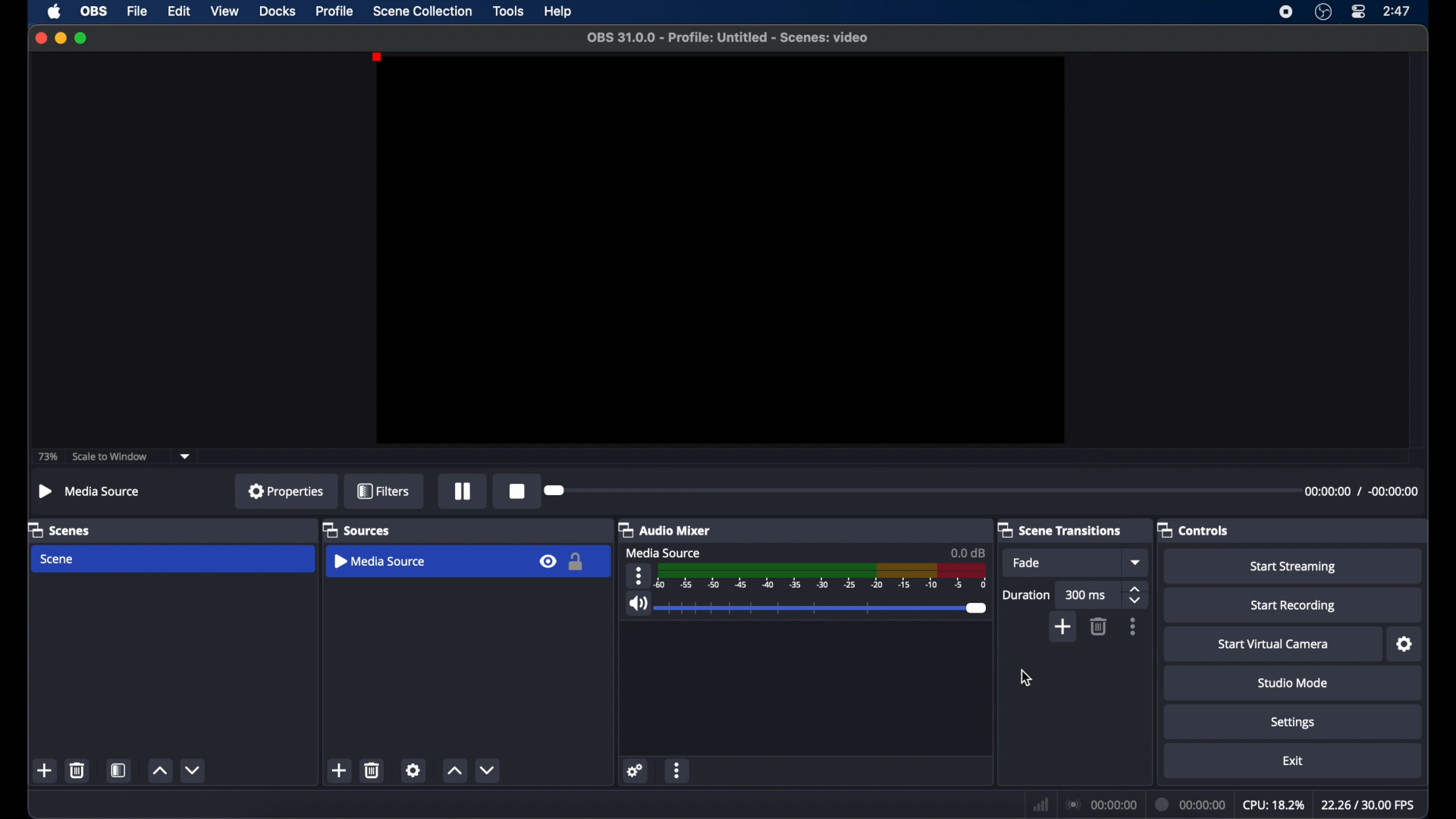 The height and width of the screenshot is (819, 1456). Describe the element at coordinates (413, 770) in the screenshot. I see `settings` at that location.